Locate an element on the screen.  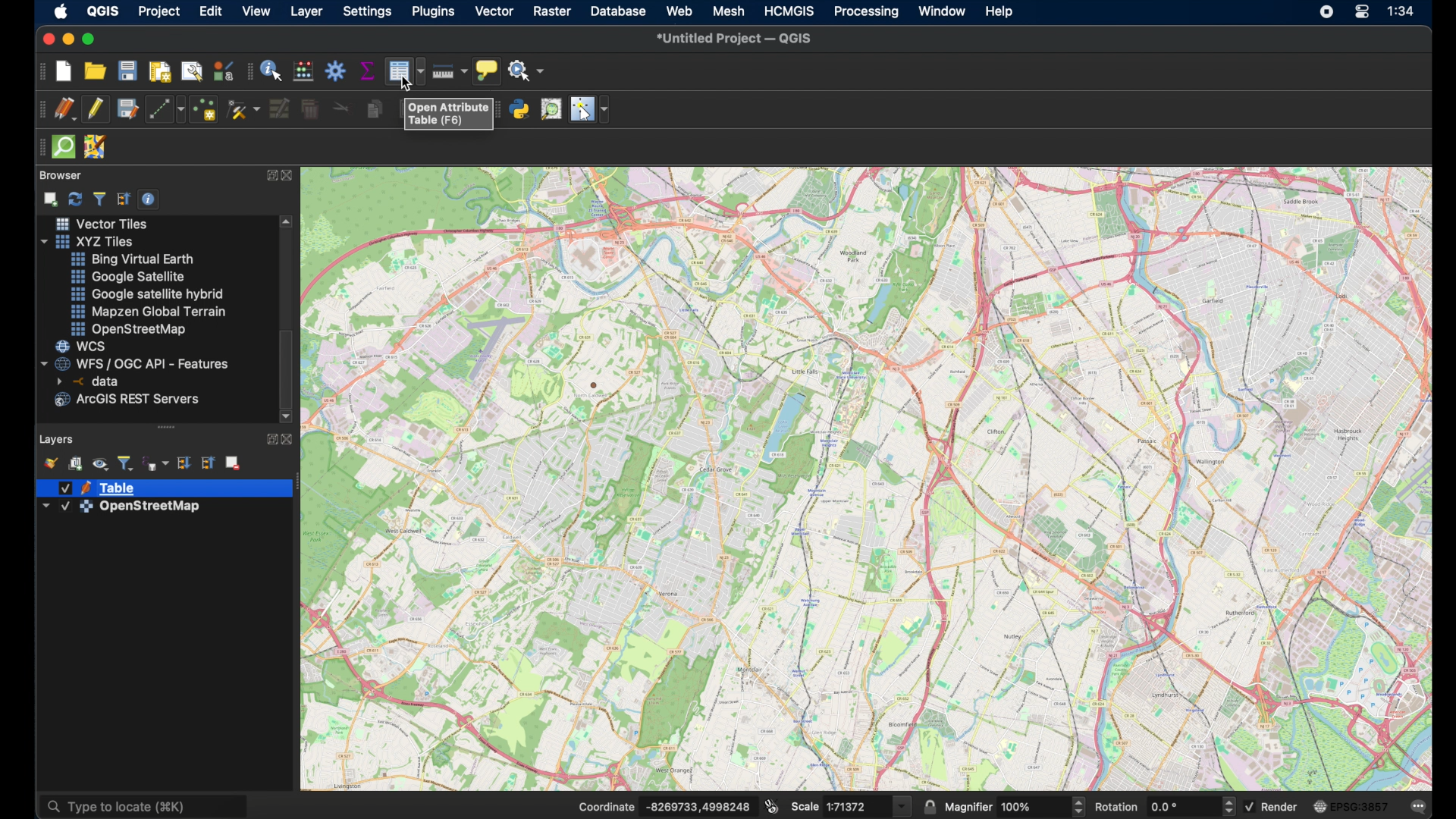
browser is located at coordinates (62, 174).